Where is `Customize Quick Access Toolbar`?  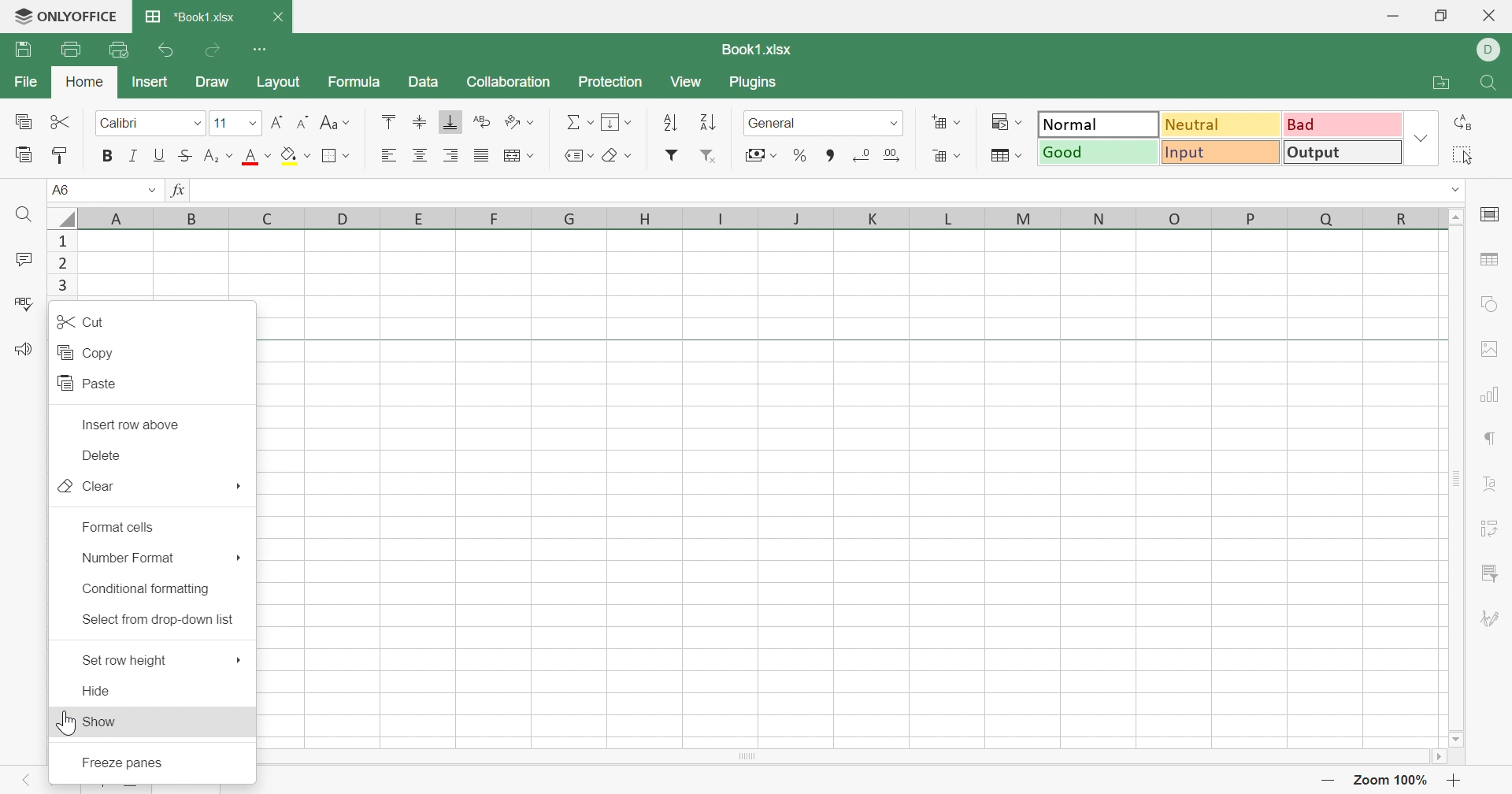
Customize Quick Access Toolbar is located at coordinates (259, 47).